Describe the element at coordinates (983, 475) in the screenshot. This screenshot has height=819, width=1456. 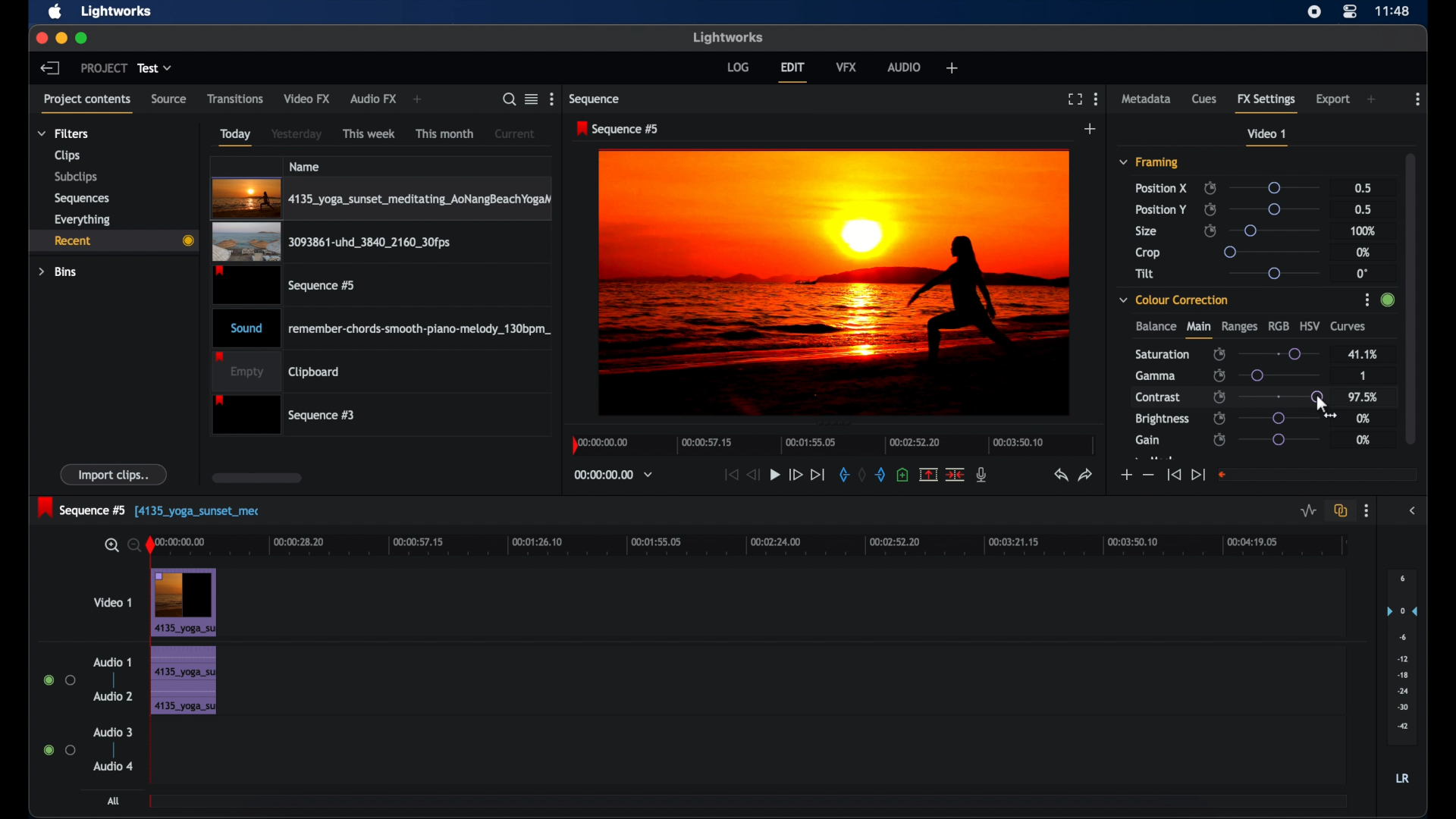
I see `mic` at that location.